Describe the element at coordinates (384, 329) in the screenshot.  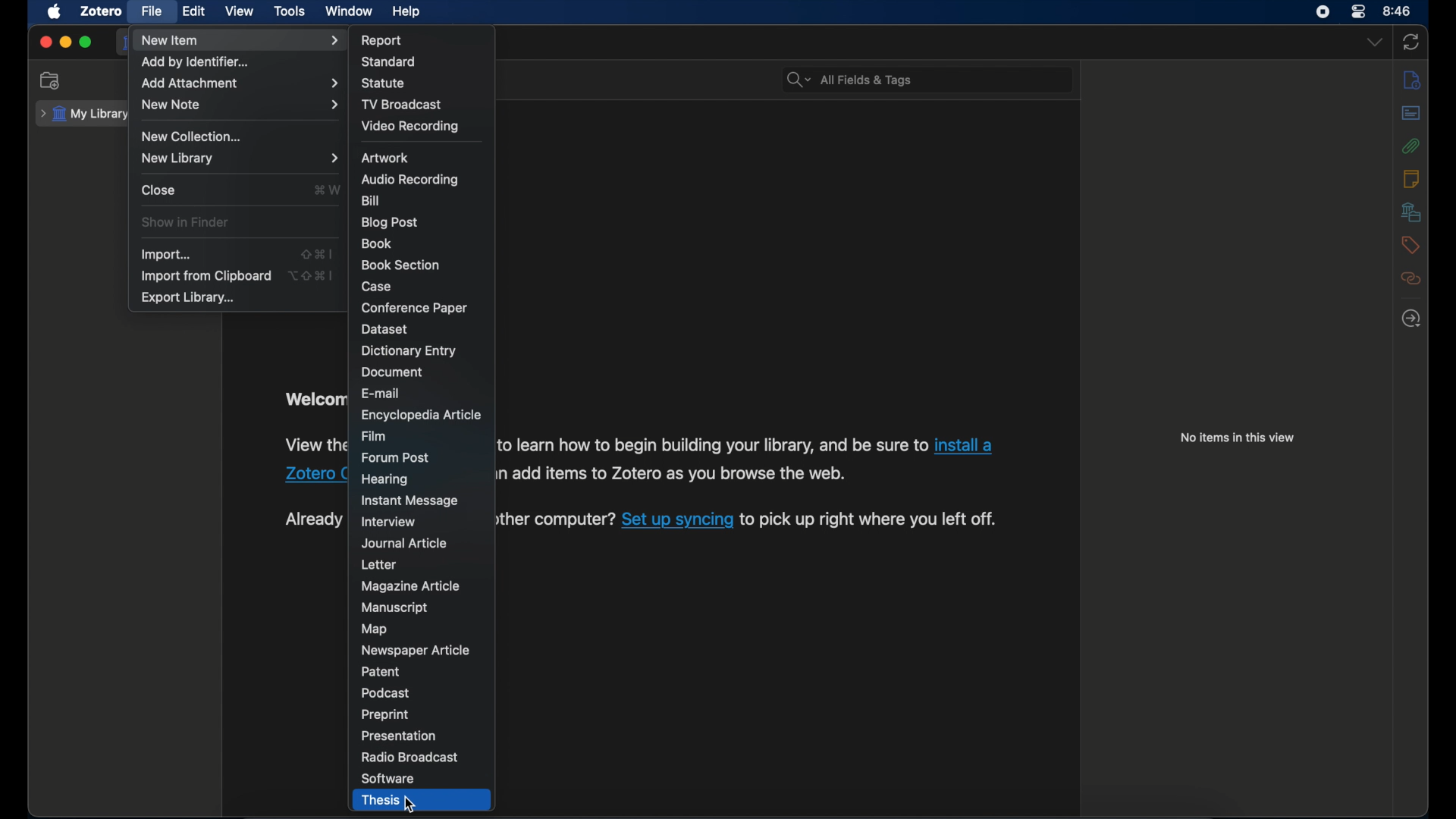
I see `dataset` at that location.